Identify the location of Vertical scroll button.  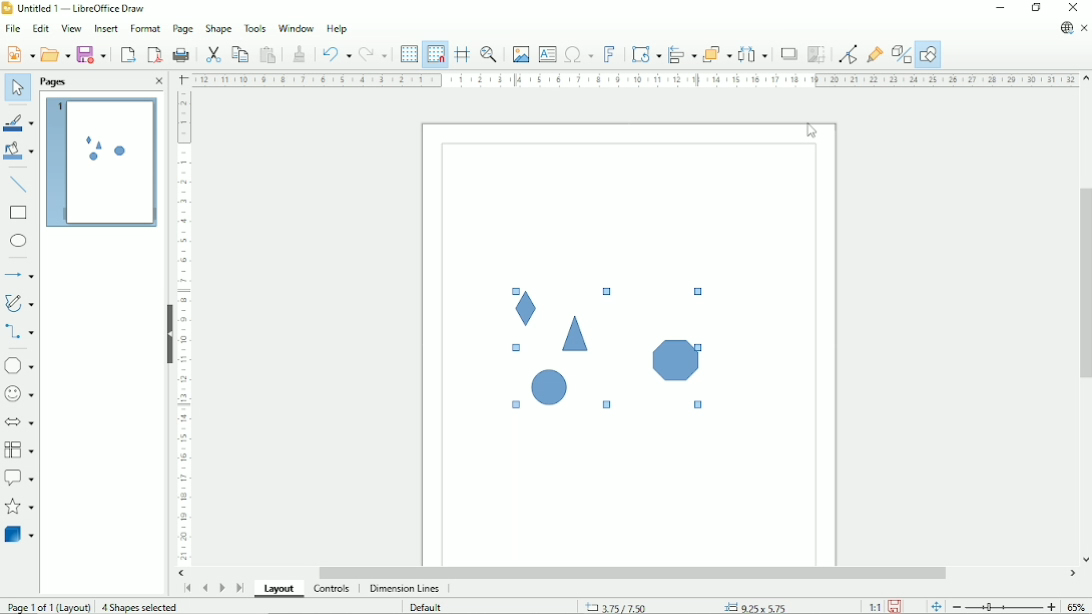
(1085, 80).